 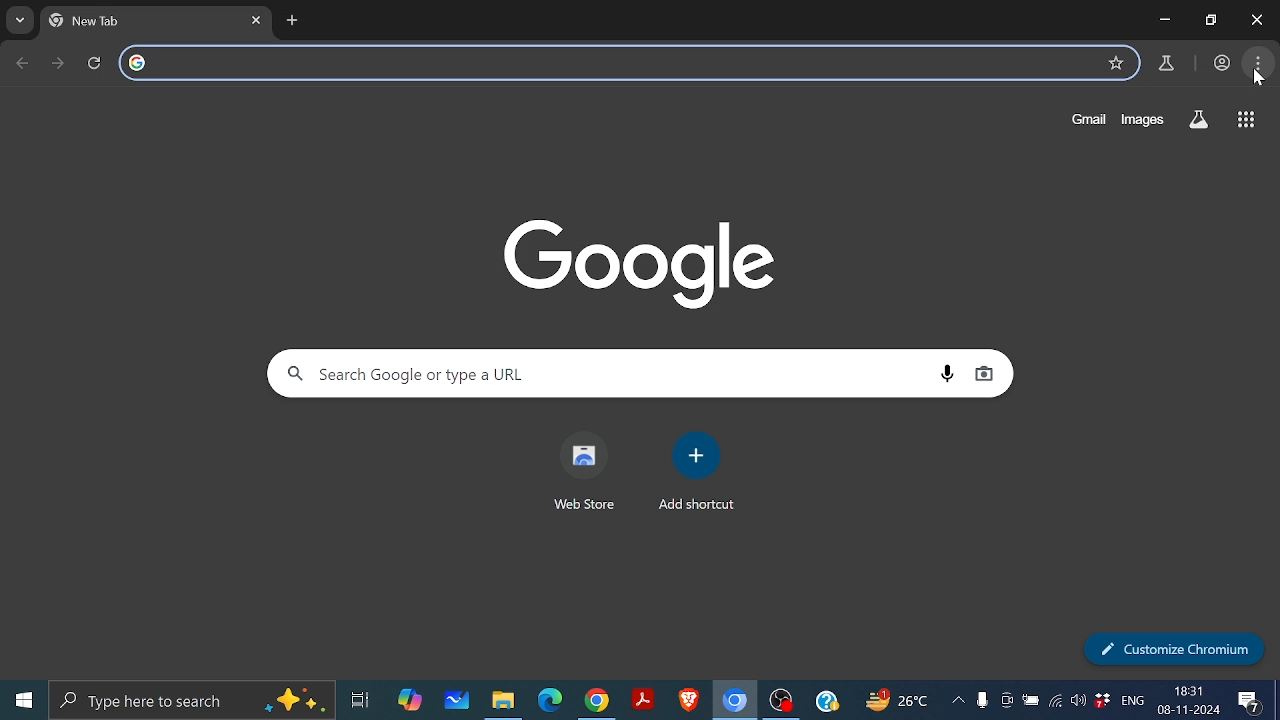 What do you see at coordinates (1208, 18) in the screenshot?
I see `` at bounding box center [1208, 18].